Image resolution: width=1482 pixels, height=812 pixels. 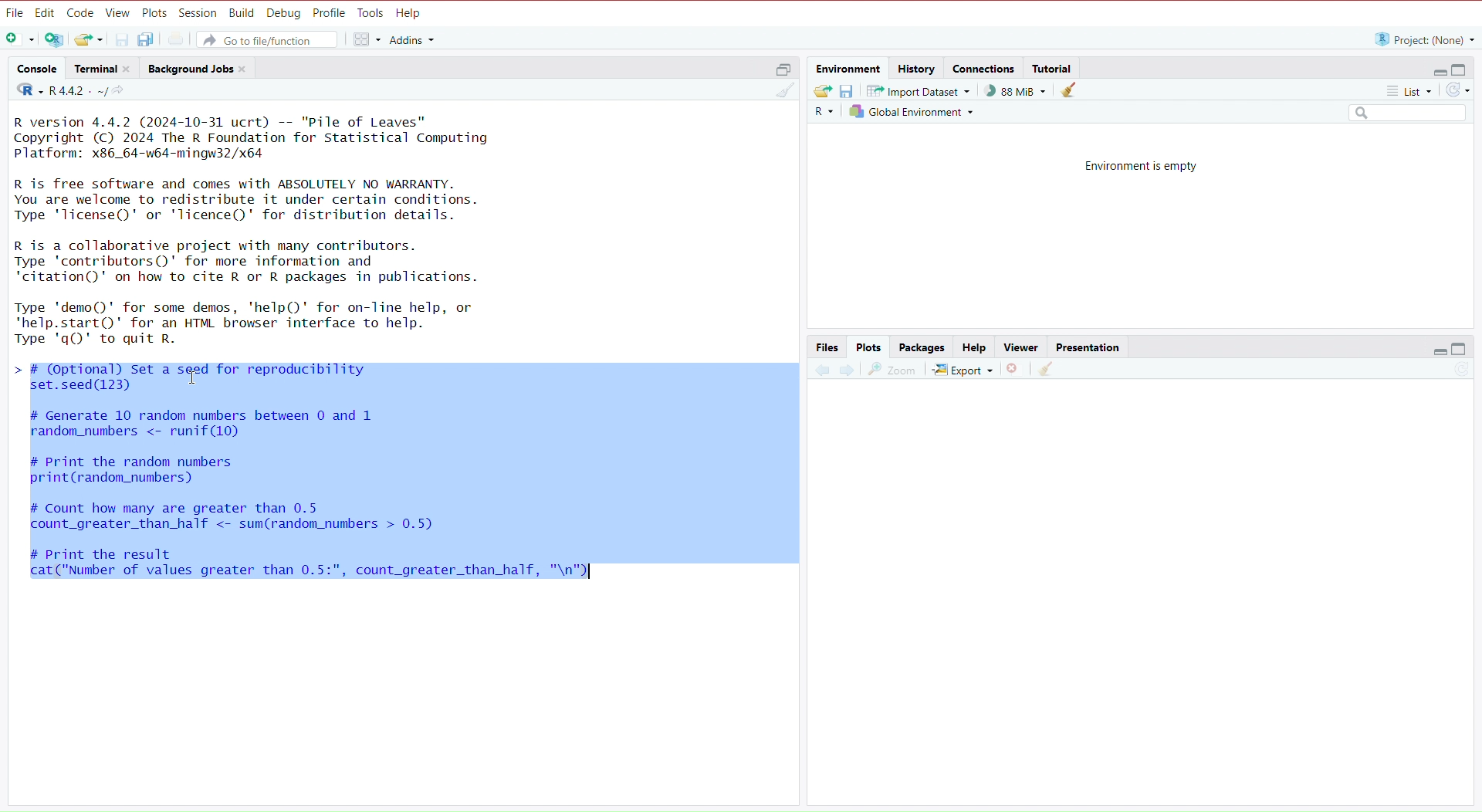 I want to click on Session, so click(x=198, y=13).